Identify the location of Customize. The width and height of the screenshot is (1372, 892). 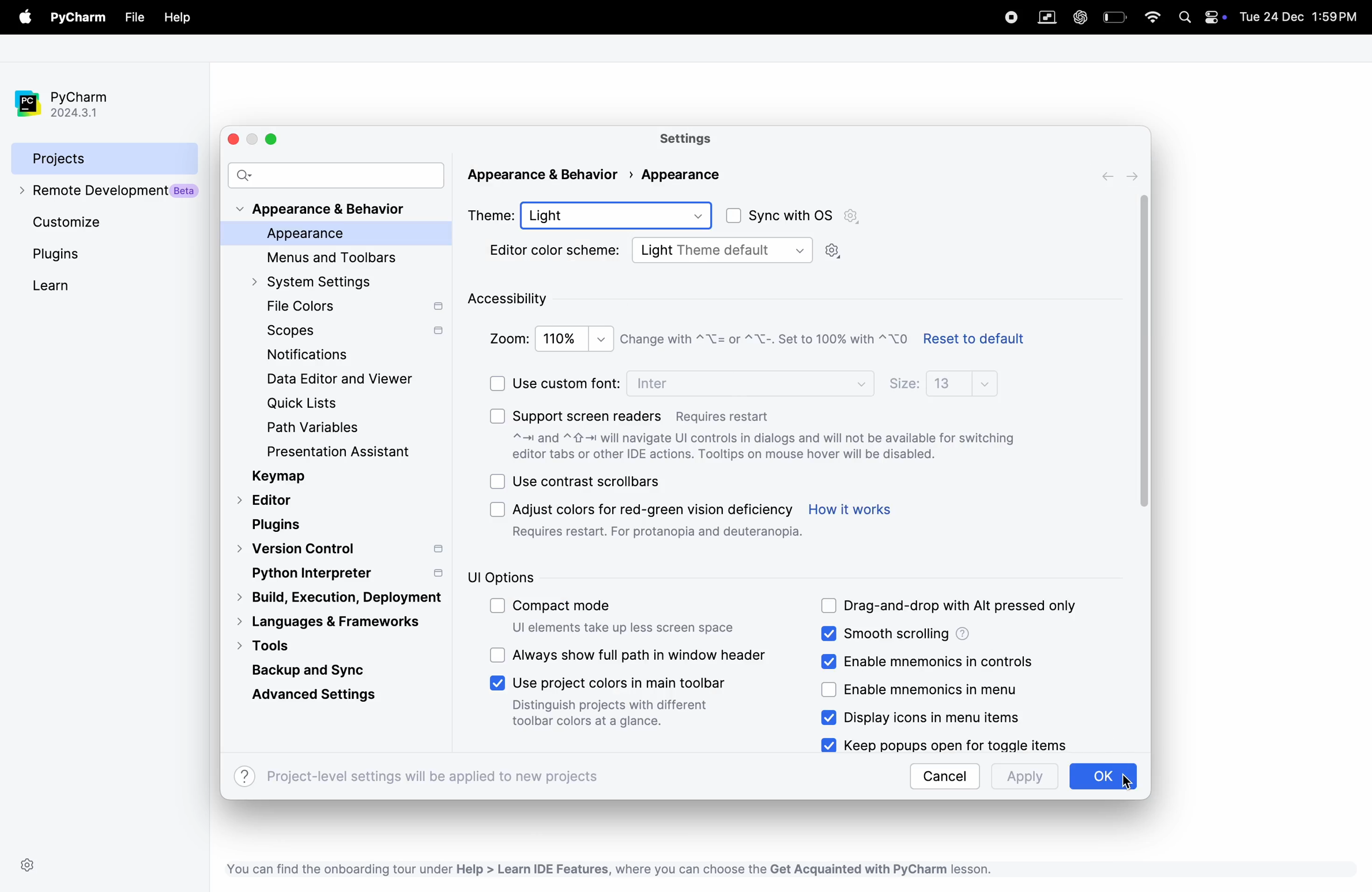
(74, 225).